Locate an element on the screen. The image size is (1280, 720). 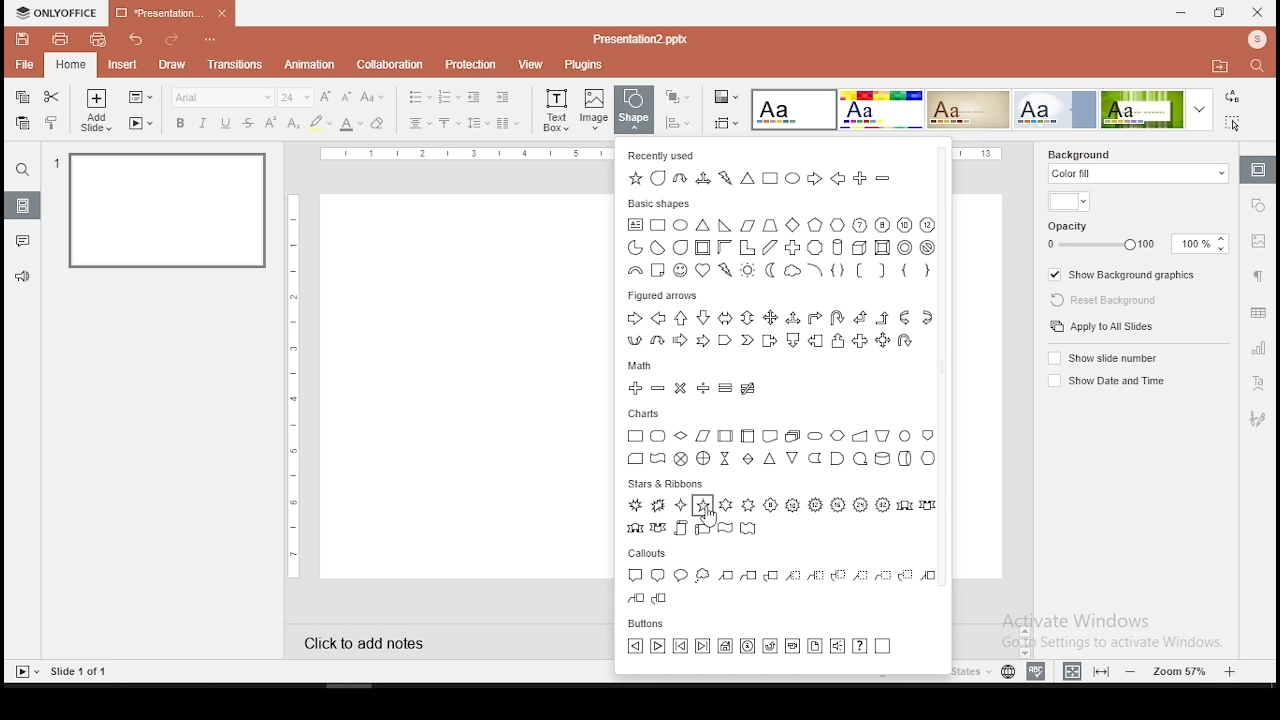
superscript is located at coordinates (269, 121).